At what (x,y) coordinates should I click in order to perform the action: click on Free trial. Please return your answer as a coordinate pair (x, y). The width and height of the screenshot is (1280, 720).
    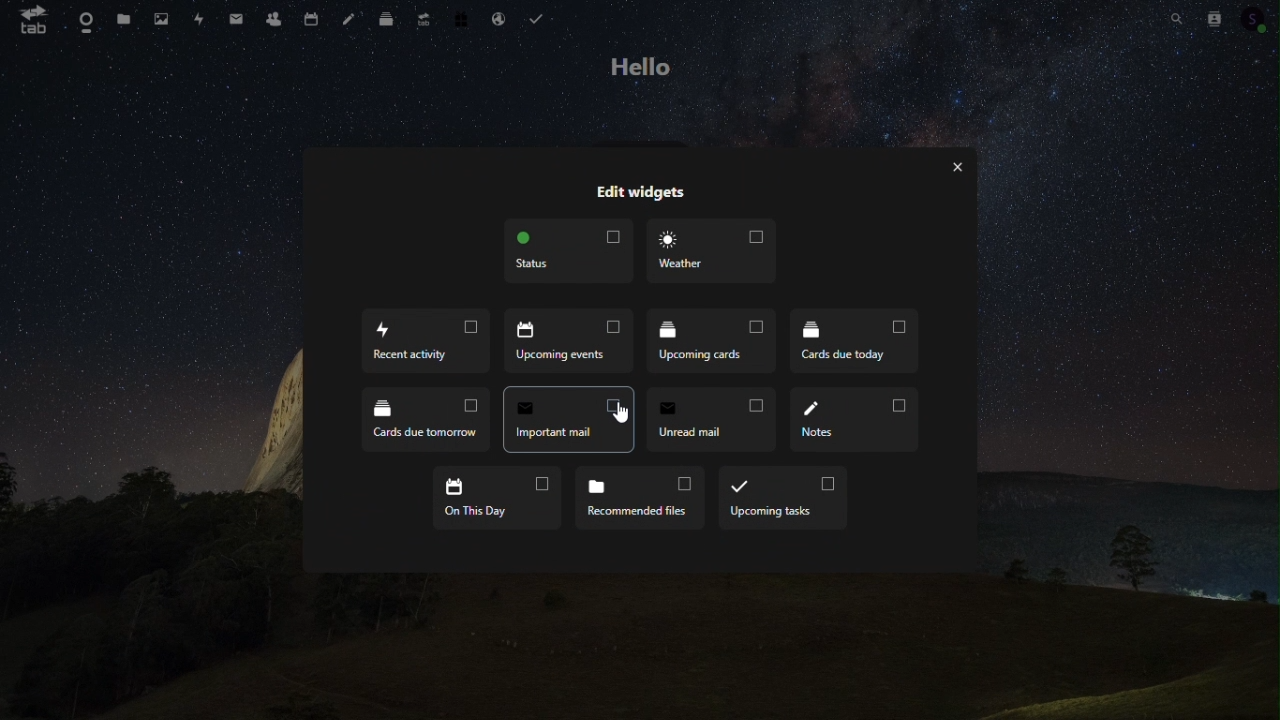
    Looking at the image, I should click on (456, 18).